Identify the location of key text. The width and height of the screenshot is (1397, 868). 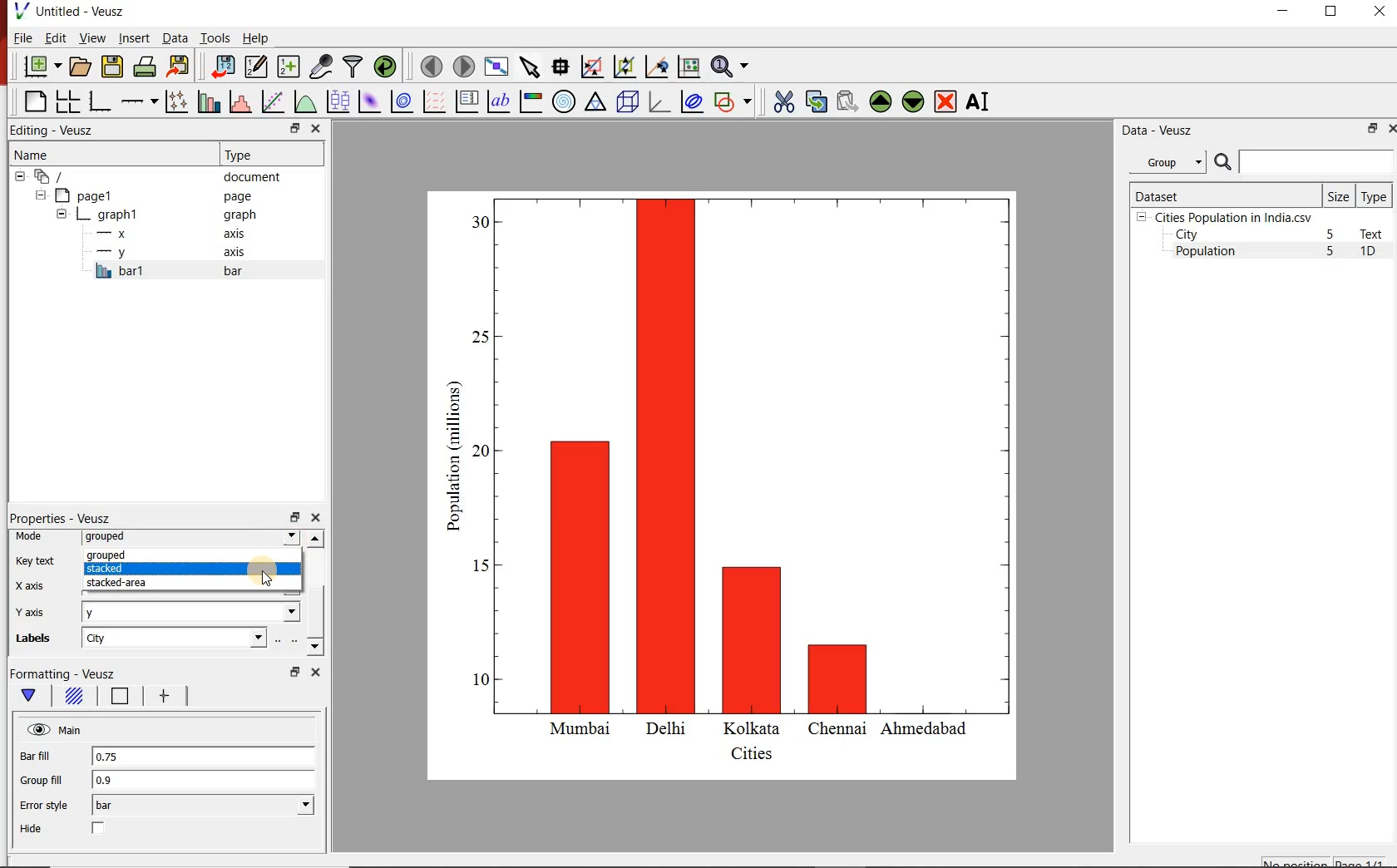
(36, 560).